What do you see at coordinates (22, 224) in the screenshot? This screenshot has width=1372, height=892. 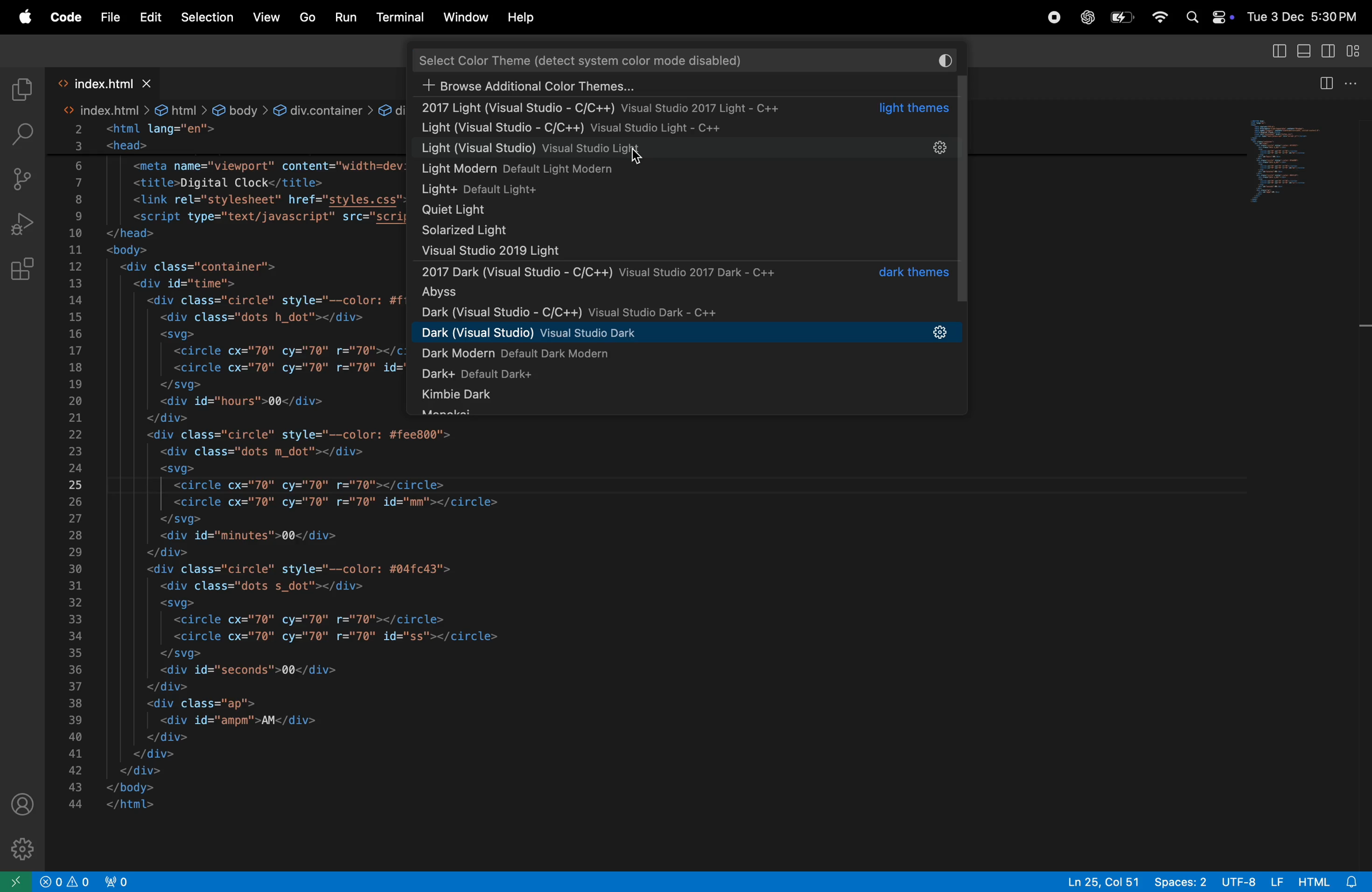 I see `run debug` at bounding box center [22, 224].